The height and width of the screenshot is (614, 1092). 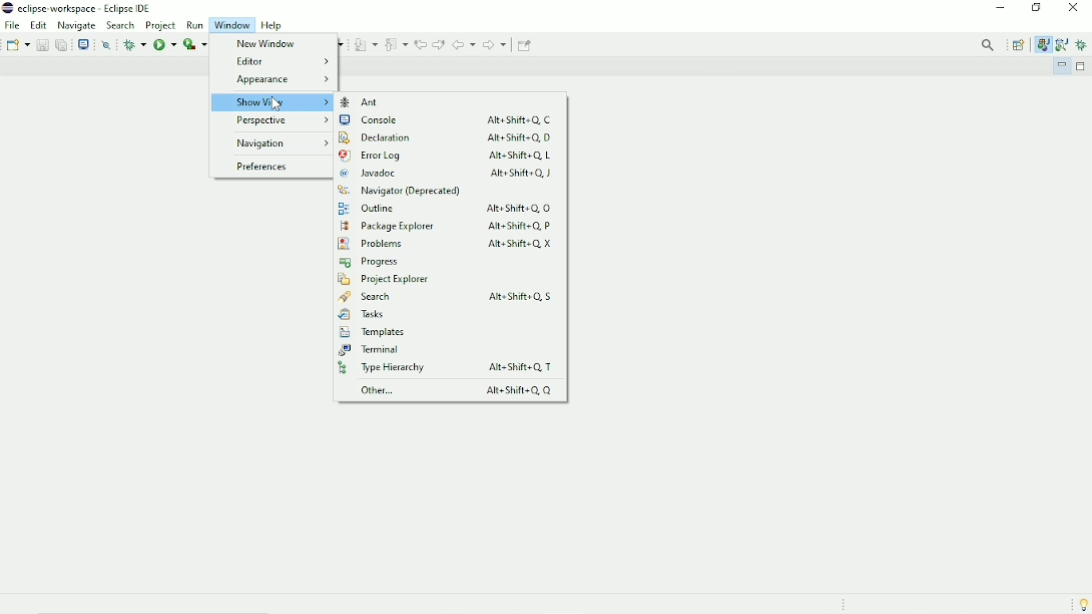 I want to click on Progress, so click(x=370, y=262).